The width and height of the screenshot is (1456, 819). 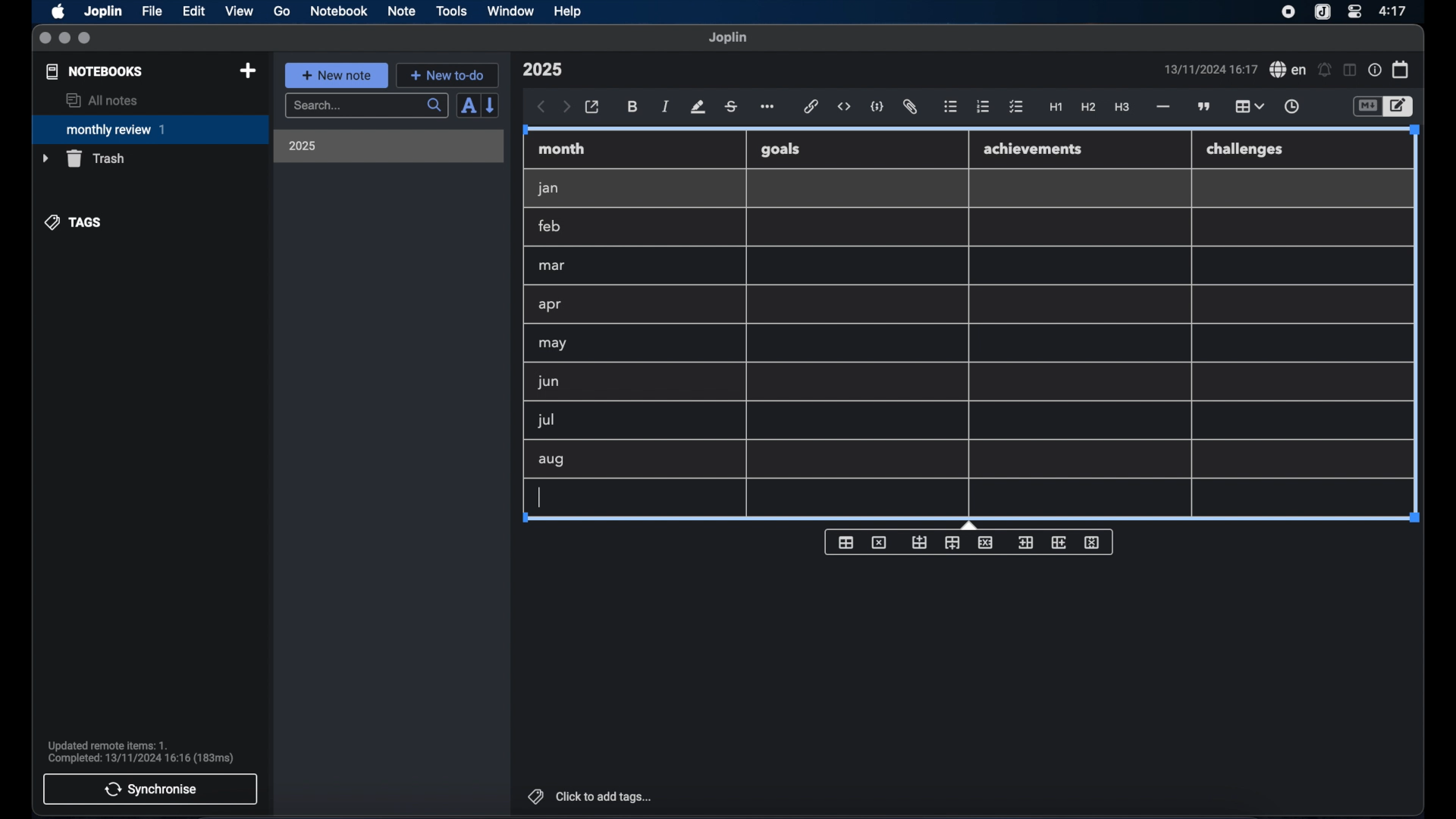 I want to click on insert row after, so click(x=952, y=543).